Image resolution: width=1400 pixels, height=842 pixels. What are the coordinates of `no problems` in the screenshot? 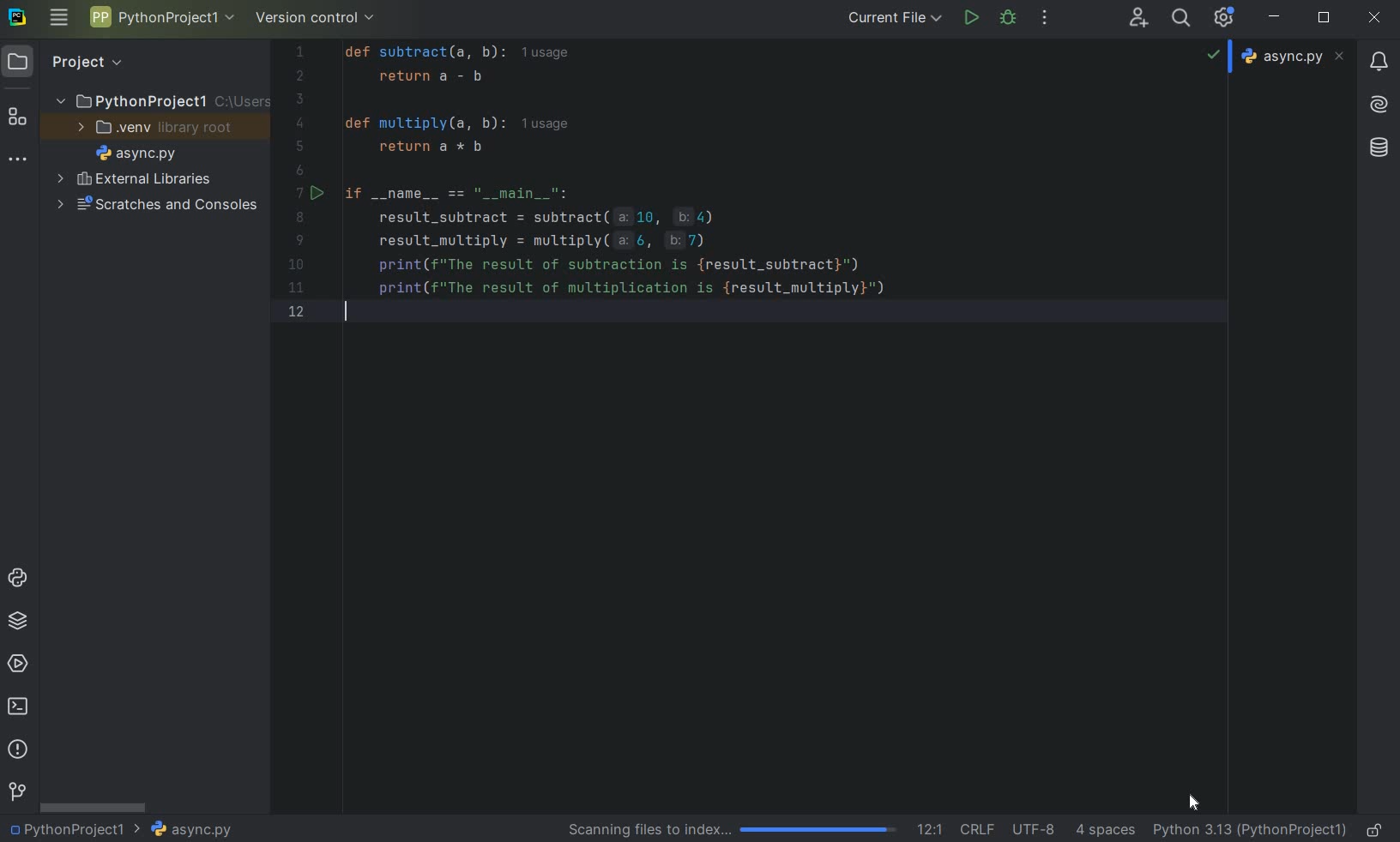 It's located at (1215, 54).